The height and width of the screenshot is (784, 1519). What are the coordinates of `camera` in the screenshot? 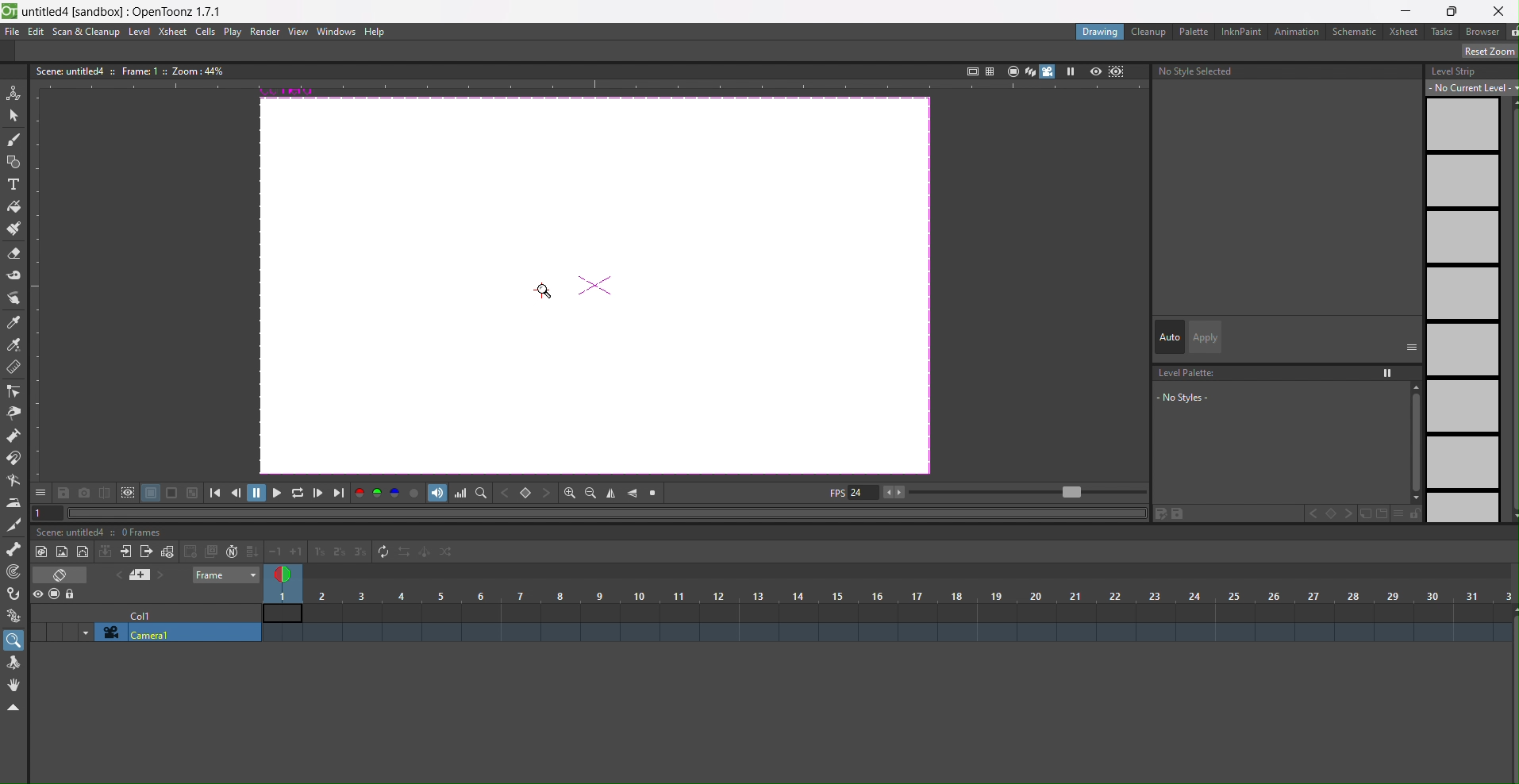 It's located at (170, 633).